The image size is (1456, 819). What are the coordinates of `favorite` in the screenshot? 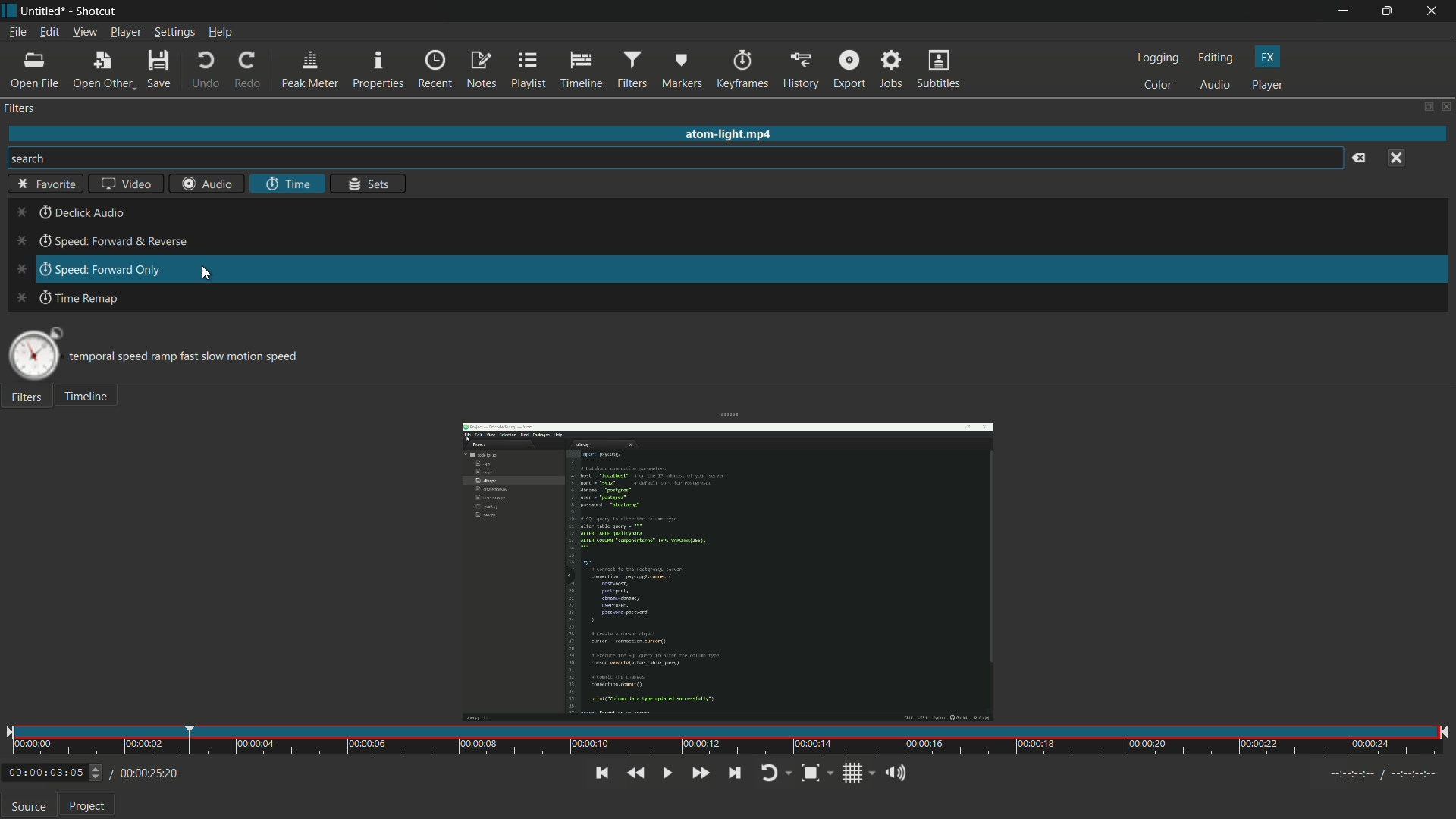 It's located at (42, 184).